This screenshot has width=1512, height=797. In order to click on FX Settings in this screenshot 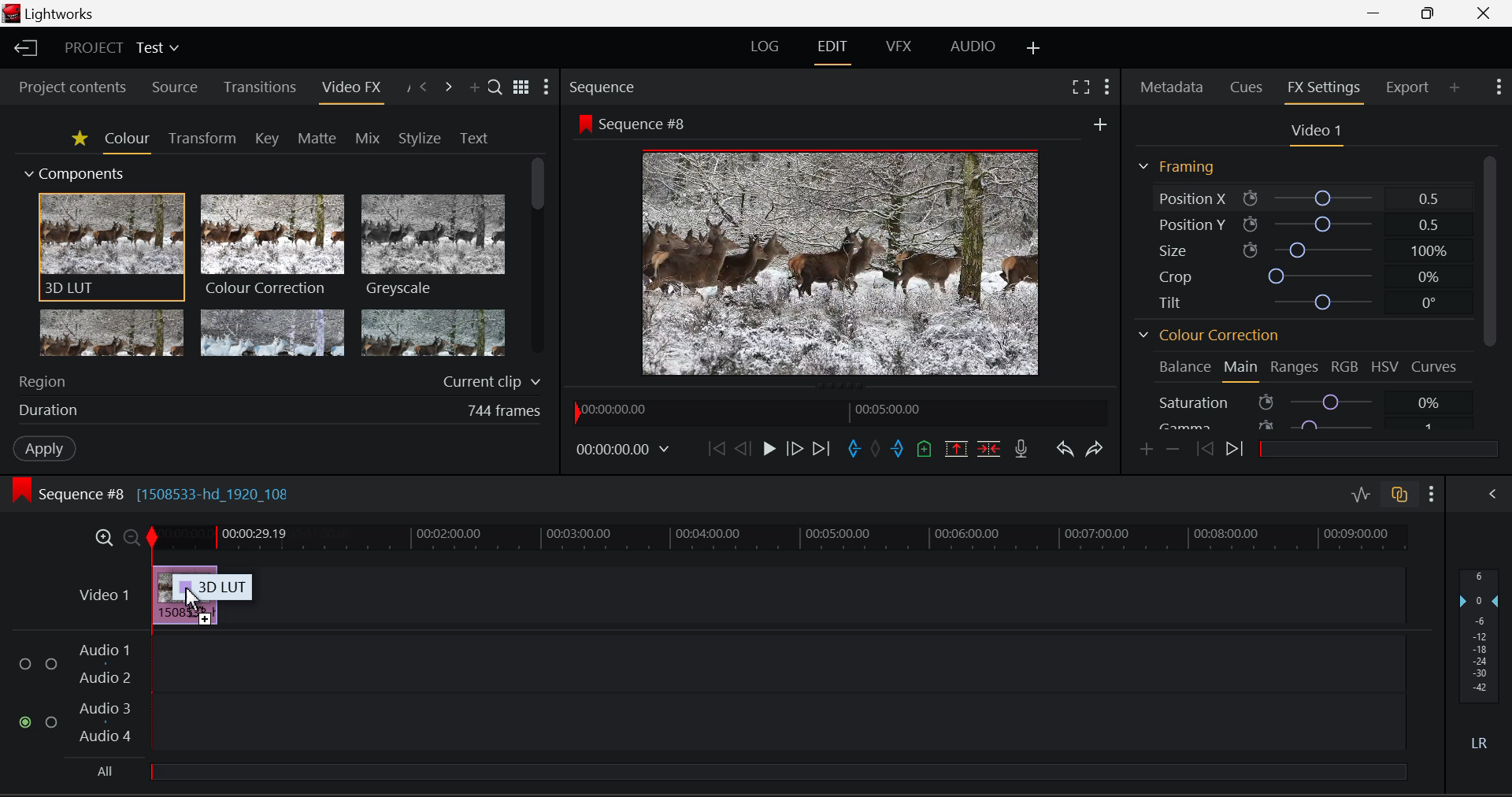, I will do `click(1322, 91)`.